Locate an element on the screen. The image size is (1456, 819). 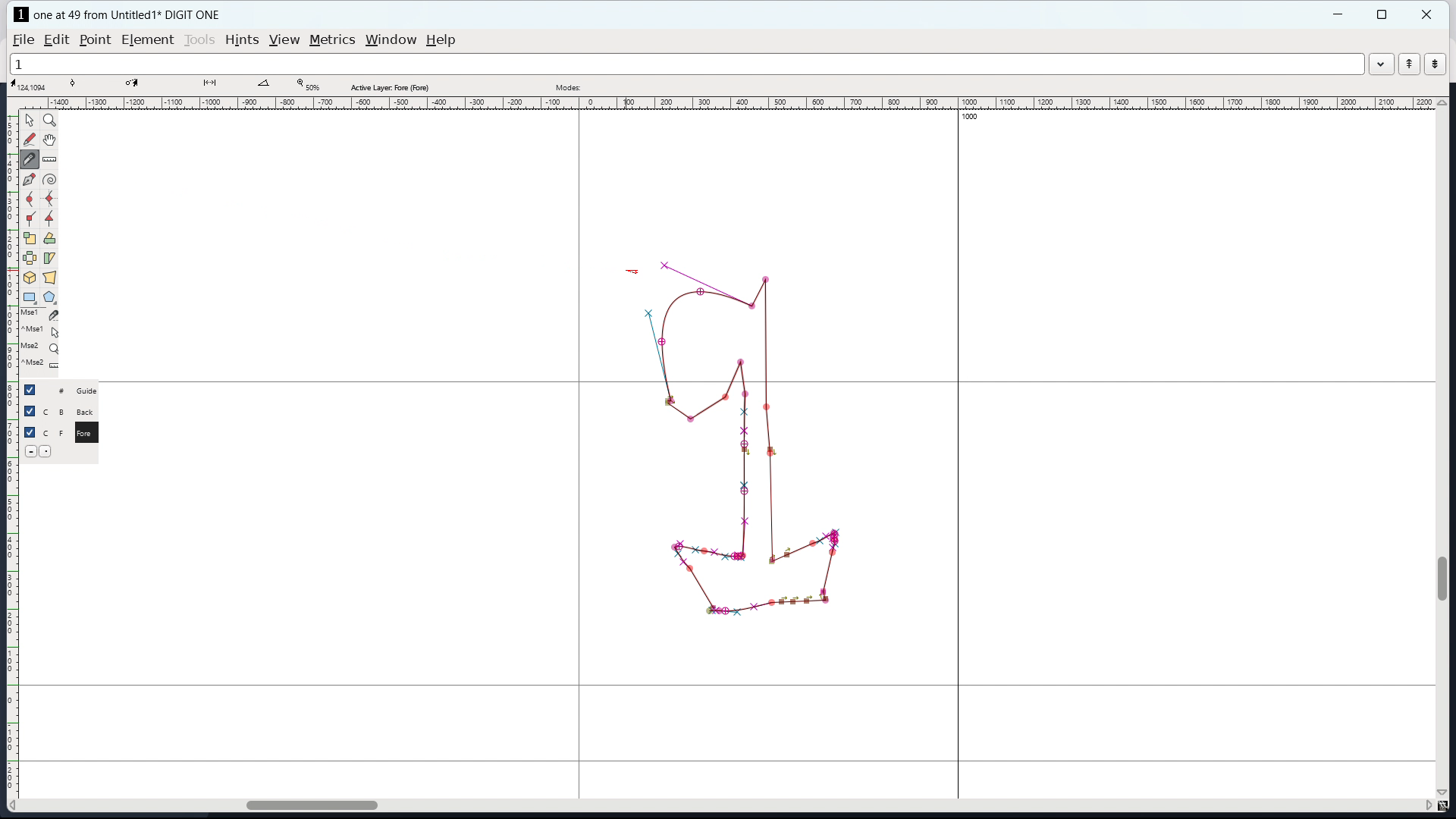
magnify is located at coordinates (50, 120).